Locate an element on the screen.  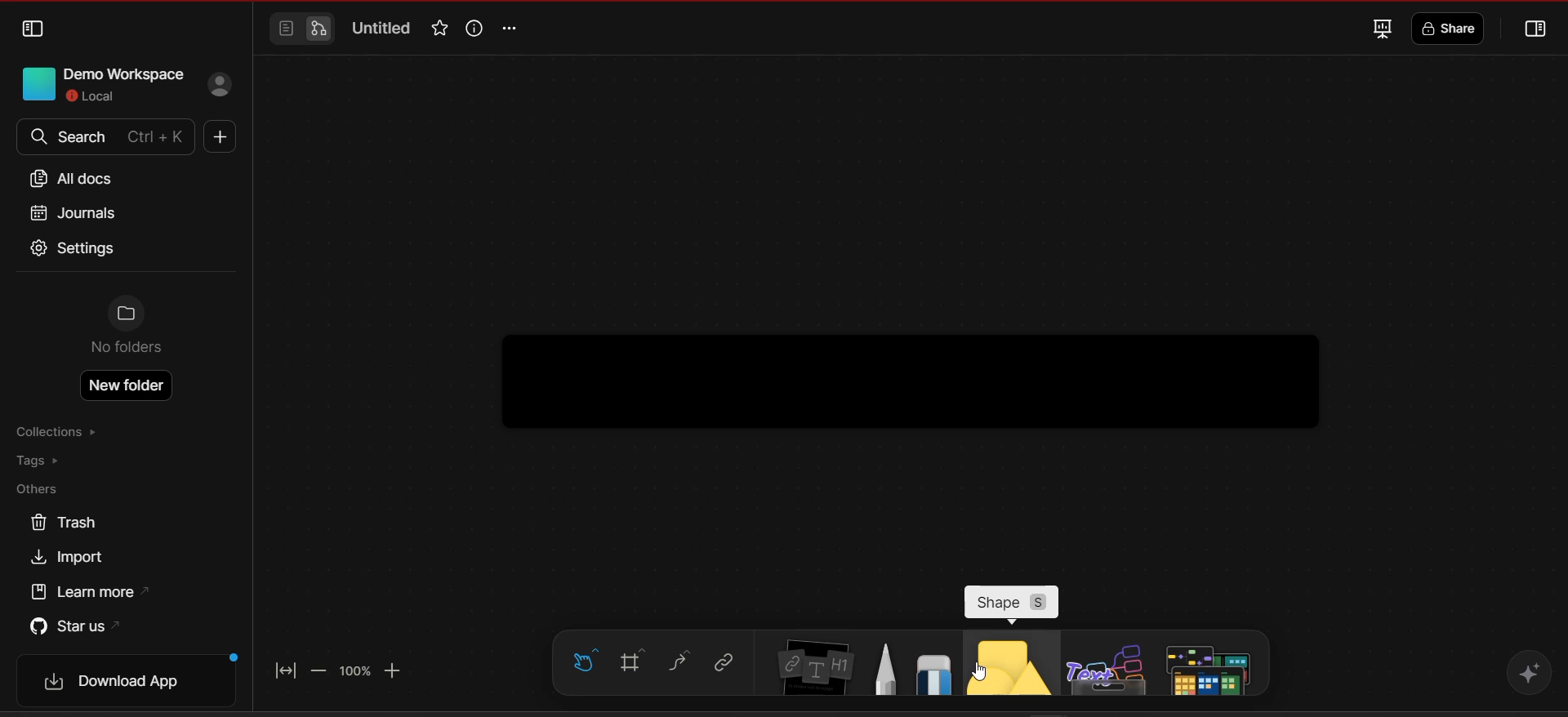
view info is located at coordinates (472, 28).